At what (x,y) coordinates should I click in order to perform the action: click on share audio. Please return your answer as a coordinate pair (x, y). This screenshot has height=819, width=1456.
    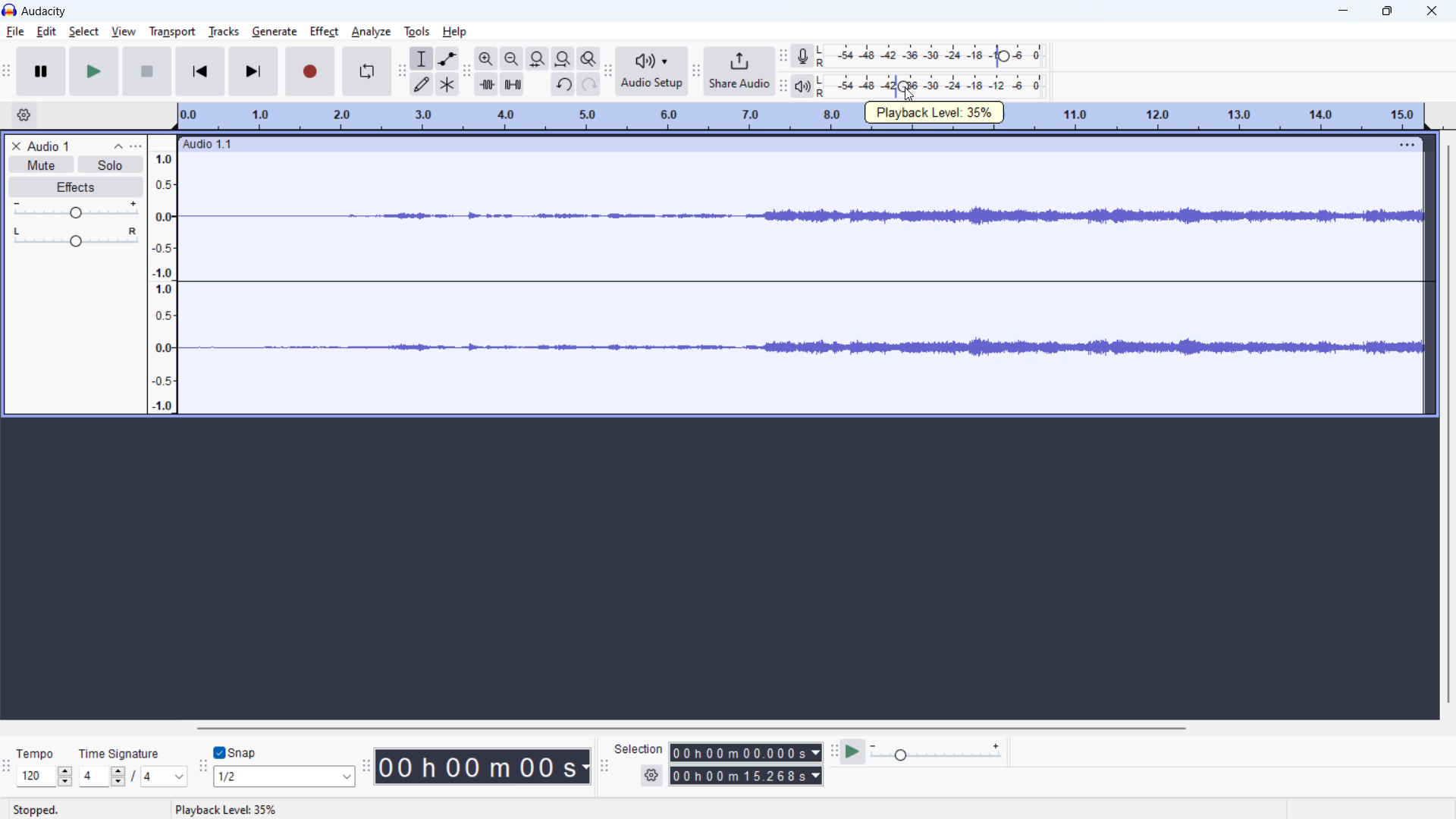
    Looking at the image, I should click on (739, 71).